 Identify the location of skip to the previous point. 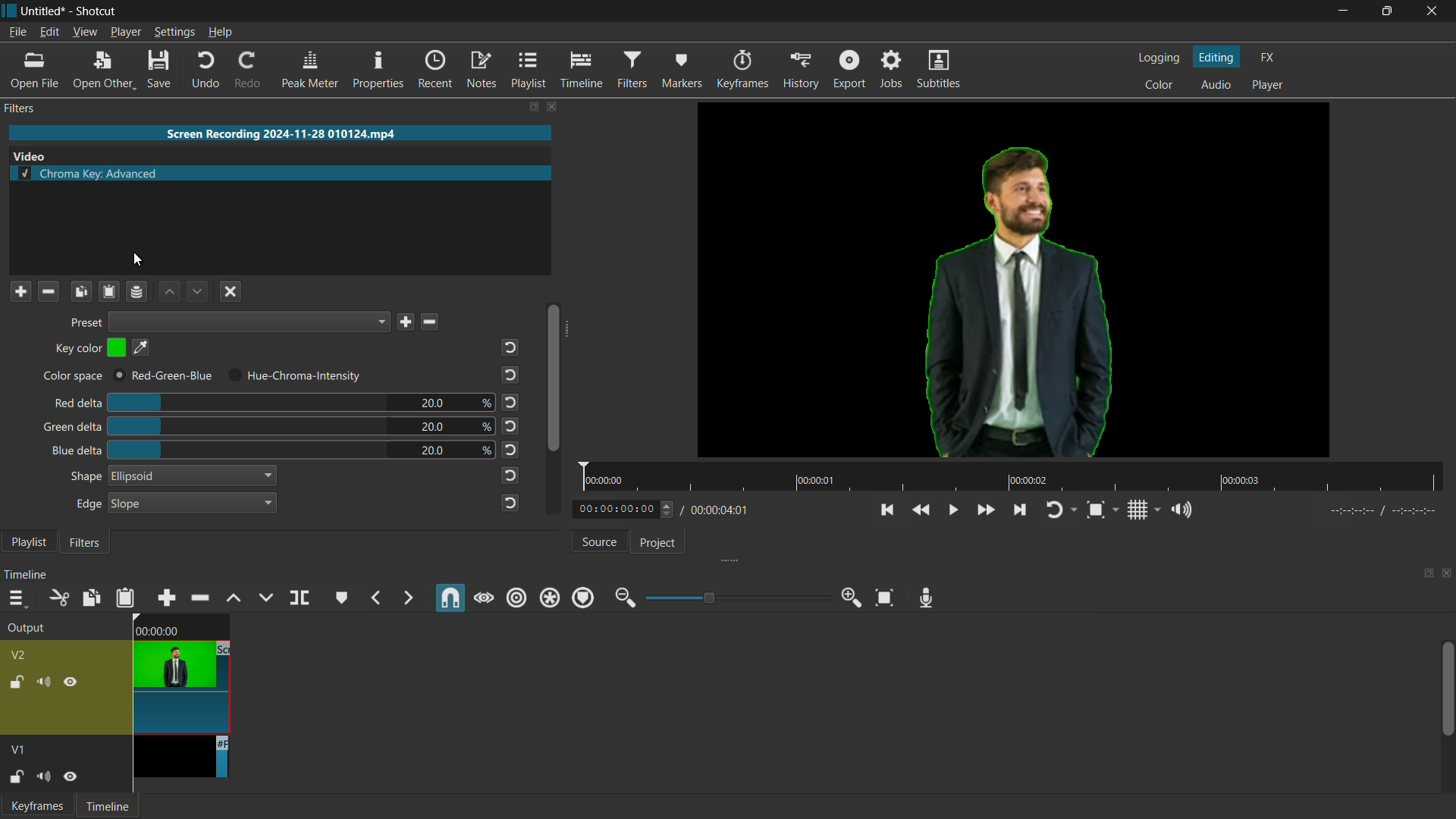
(888, 510).